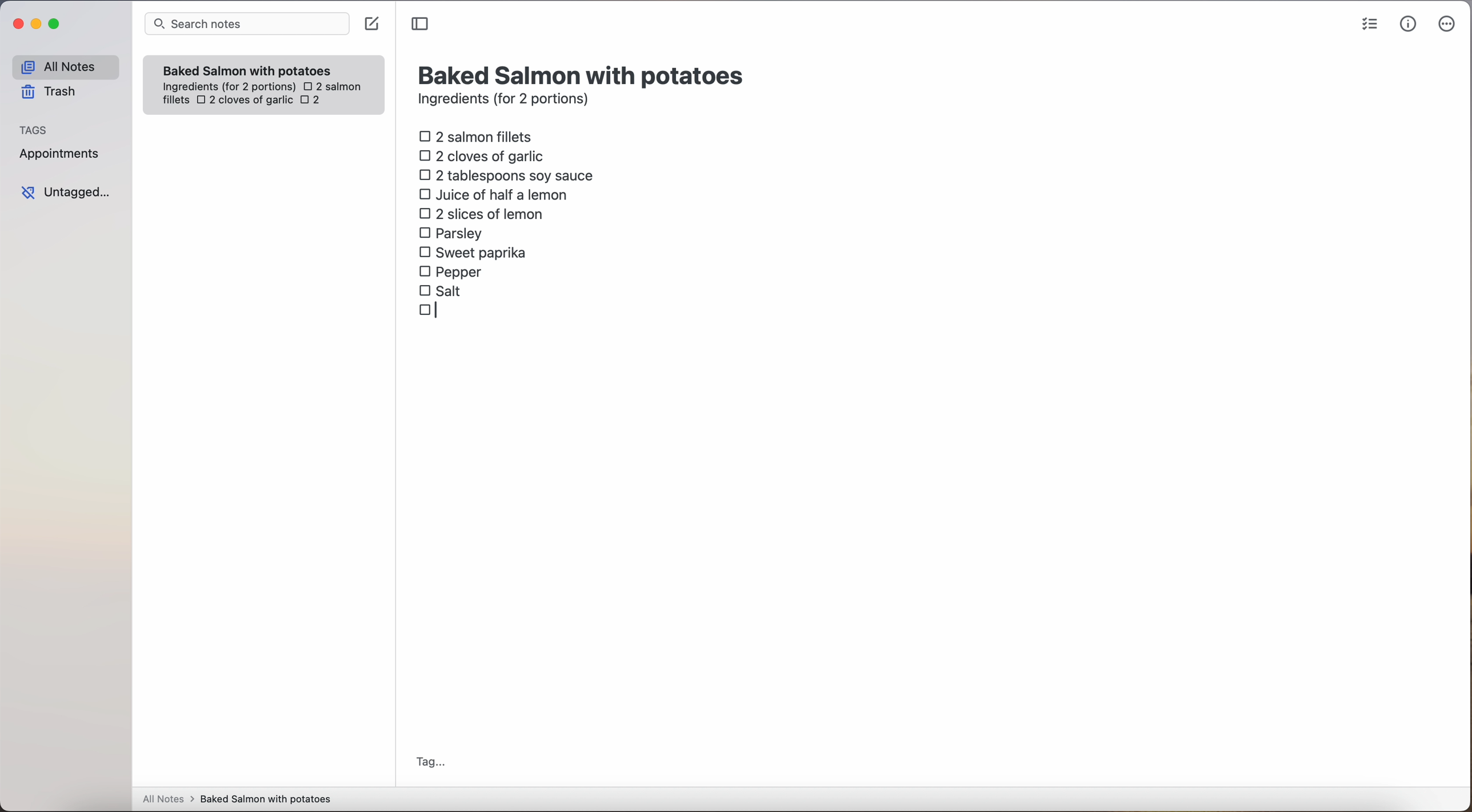 This screenshot has width=1472, height=812. I want to click on maximize, so click(56, 23).